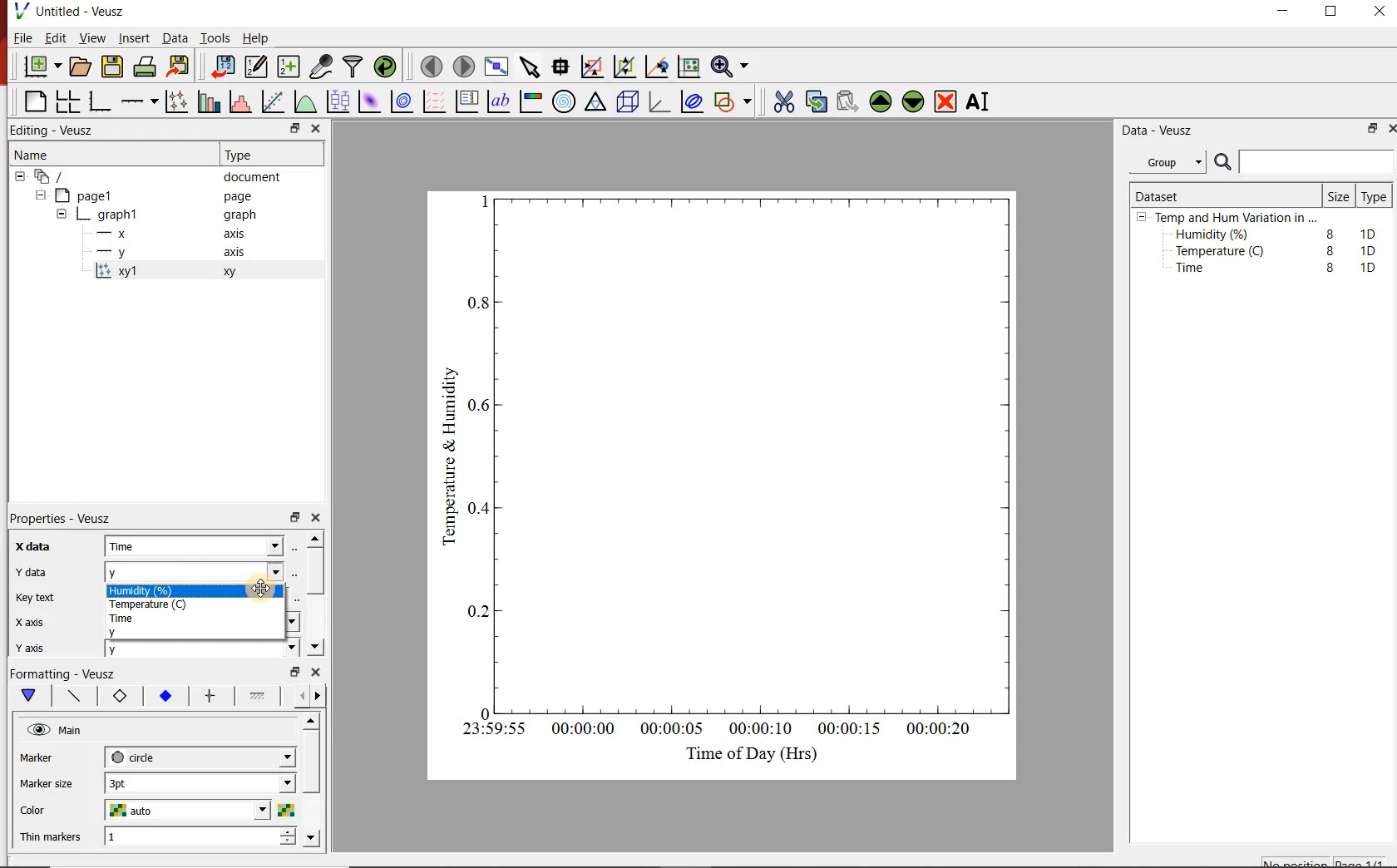 Image resolution: width=1397 pixels, height=868 pixels. Describe the element at coordinates (481, 200) in the screenshot. I see `1` at that location.